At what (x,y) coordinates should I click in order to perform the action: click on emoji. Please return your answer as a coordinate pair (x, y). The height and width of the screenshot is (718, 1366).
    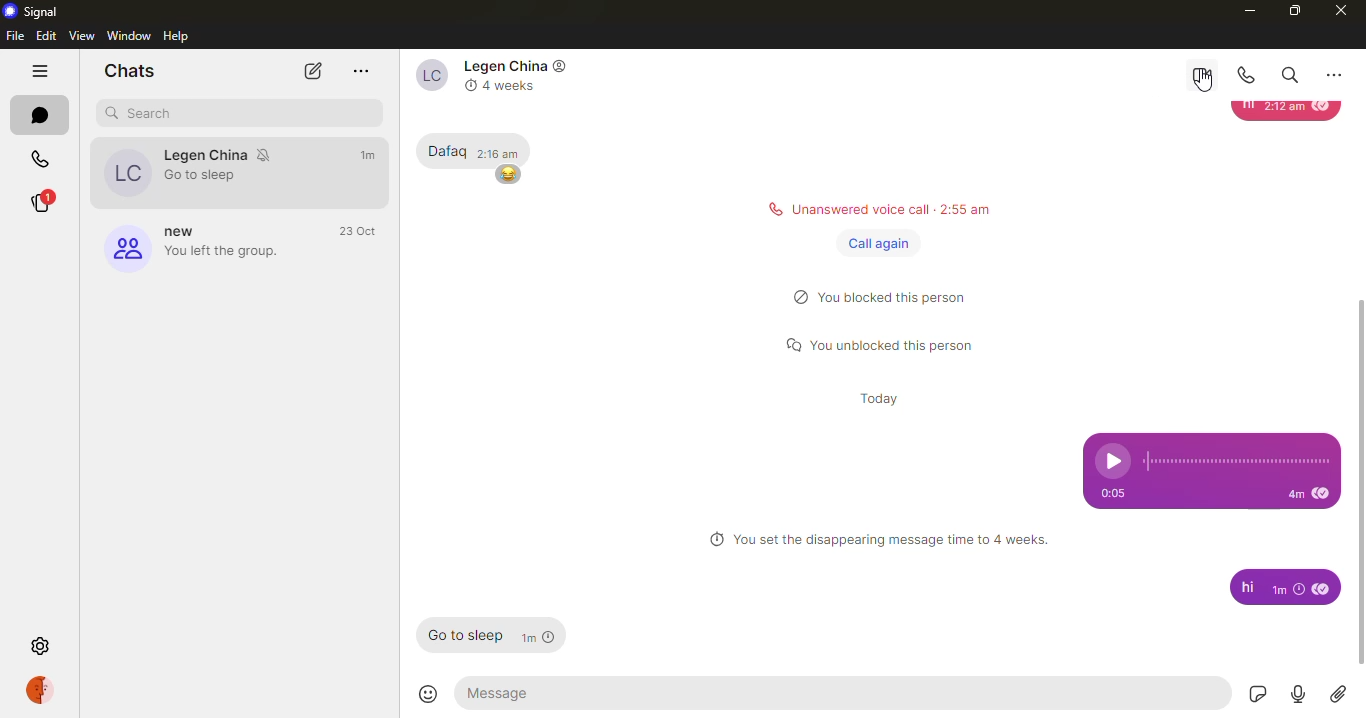
    Looking at the image, I should click on (429, 695).